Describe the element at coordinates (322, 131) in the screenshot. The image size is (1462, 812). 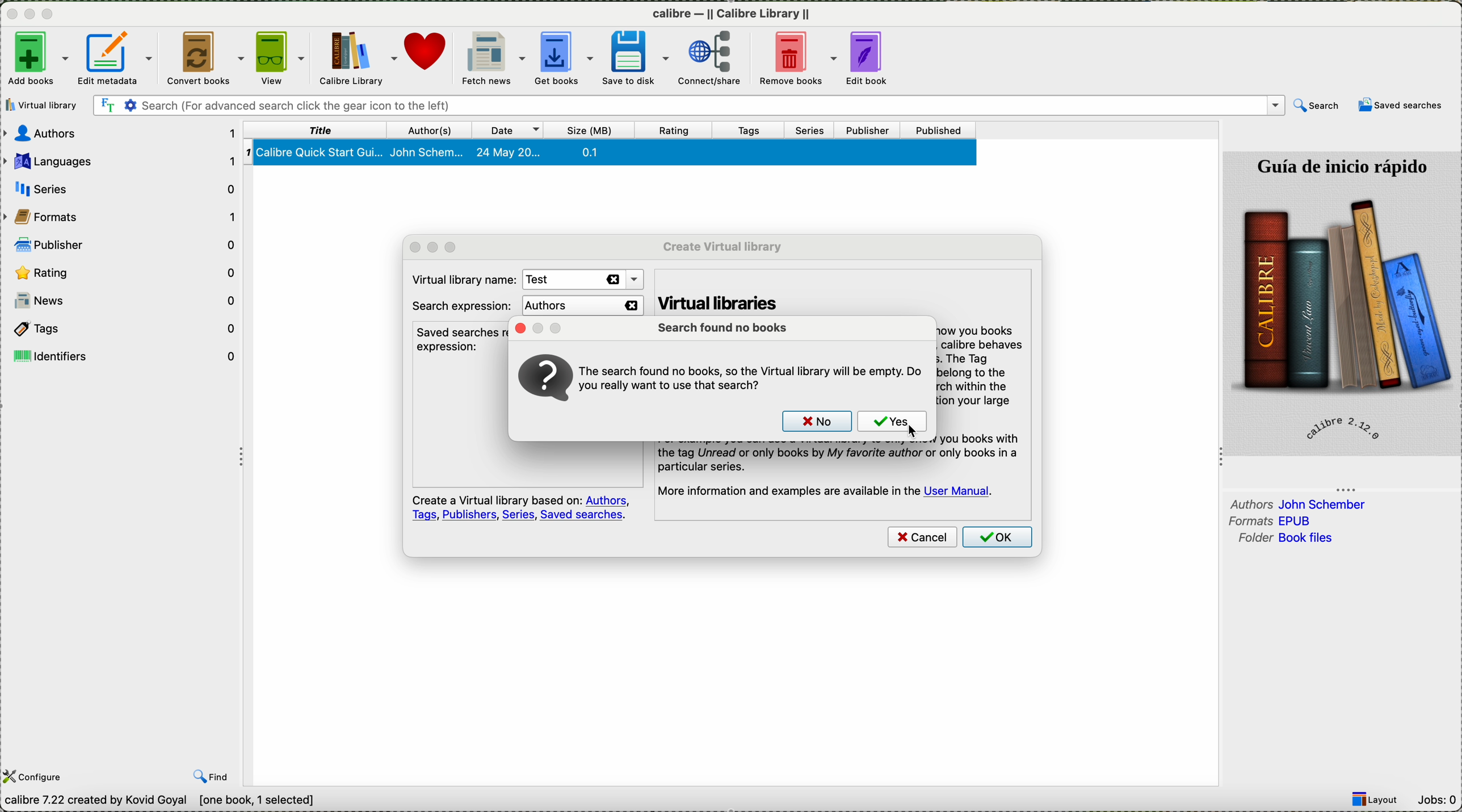
I see `title` at that location.